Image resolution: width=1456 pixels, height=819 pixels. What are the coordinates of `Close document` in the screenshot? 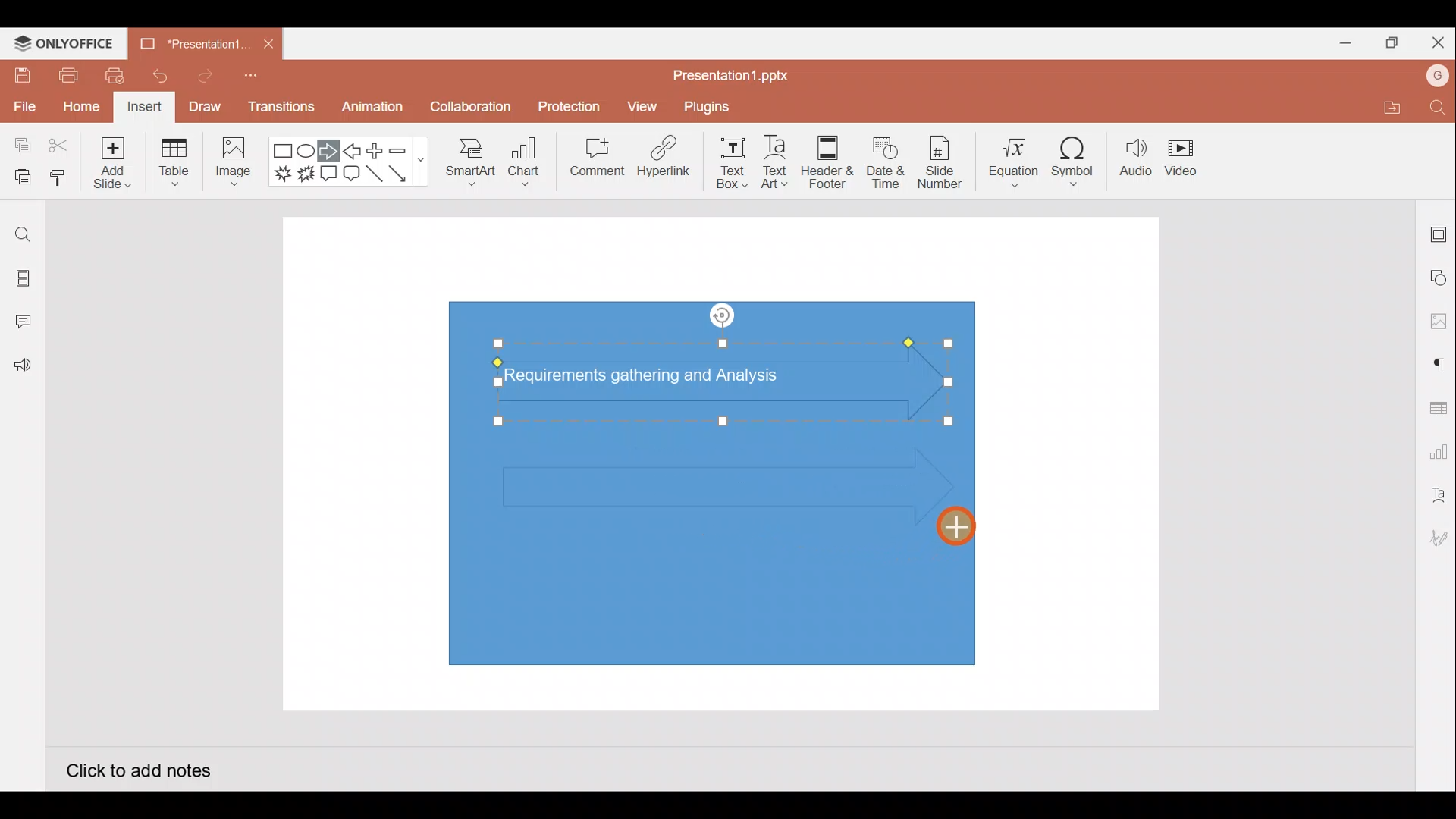 It's located at (268, 40).